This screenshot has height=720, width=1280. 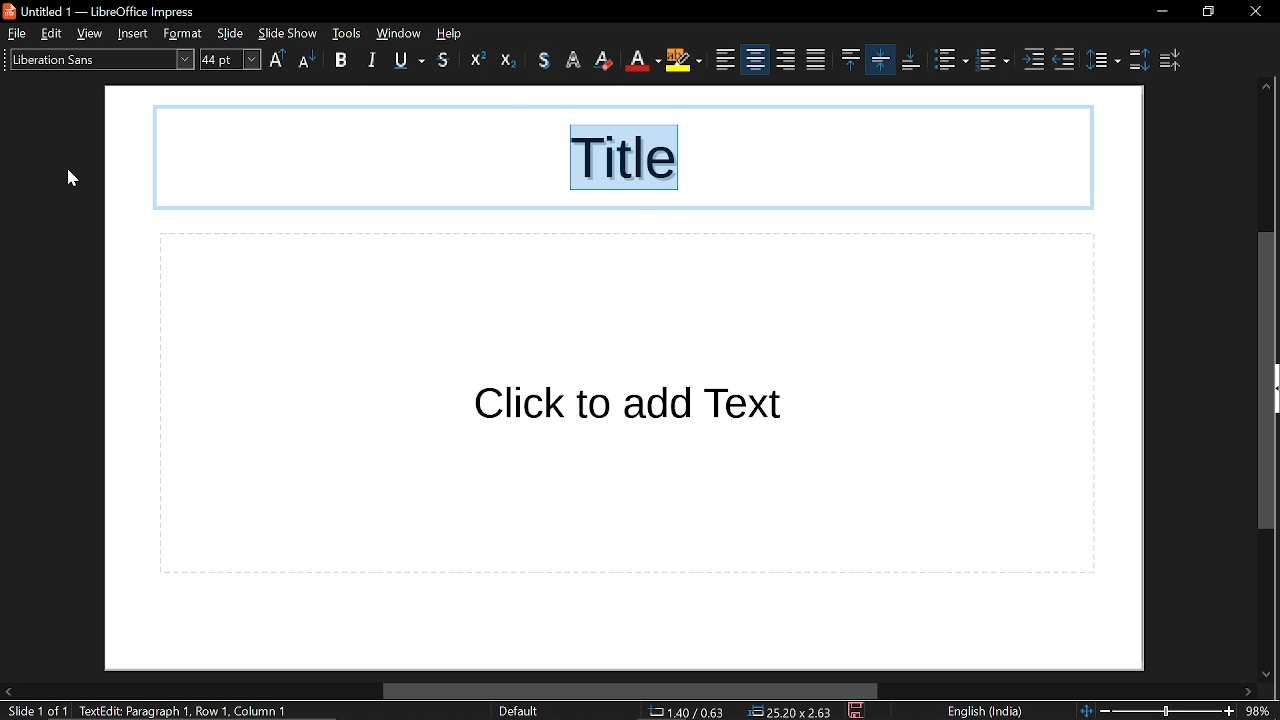 I want to click on help, so click(x=454, y=33).